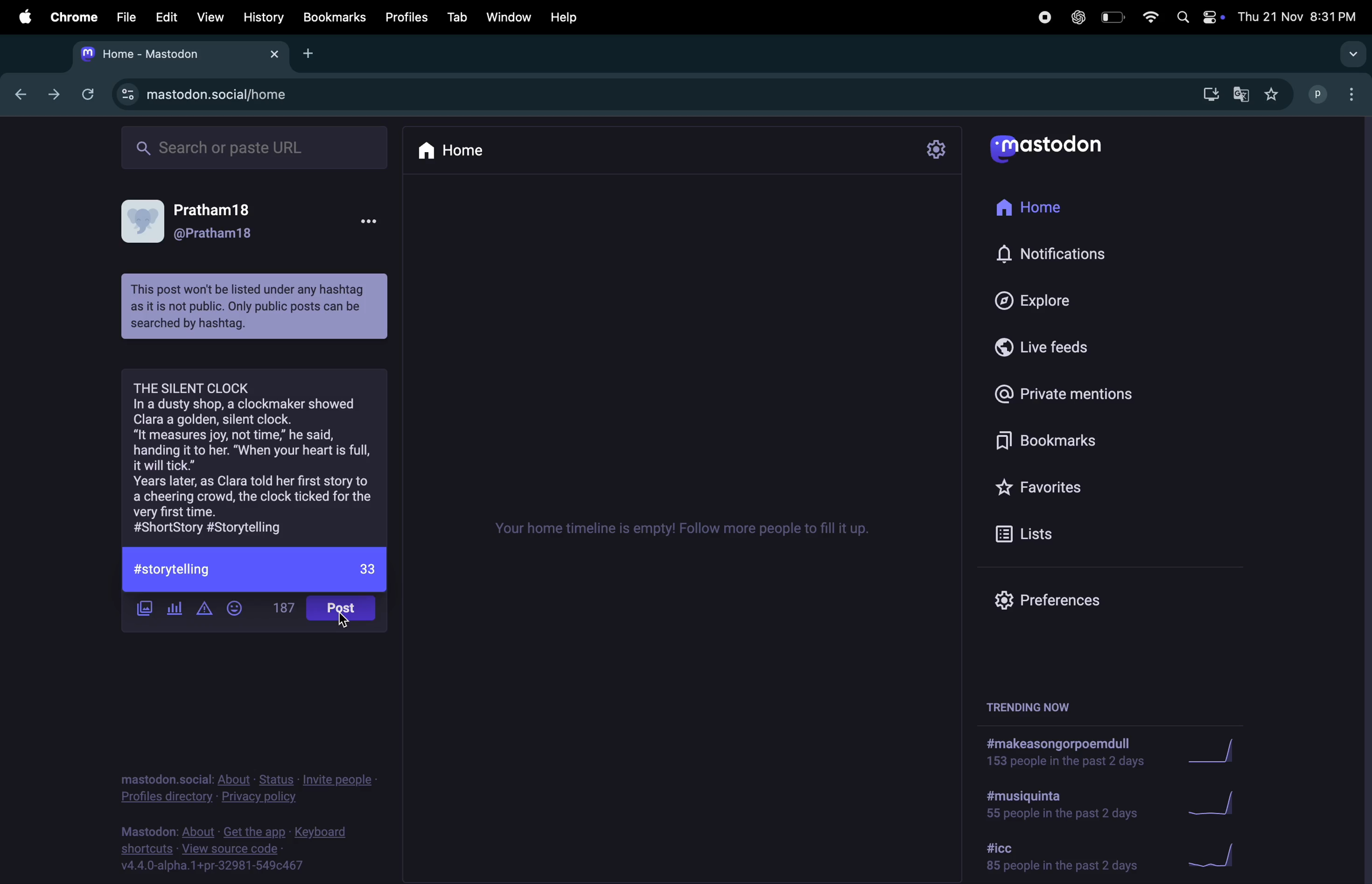 The height and width of the screenshot is (884, 1372). I want to click on add new tab, so click(314, 55).